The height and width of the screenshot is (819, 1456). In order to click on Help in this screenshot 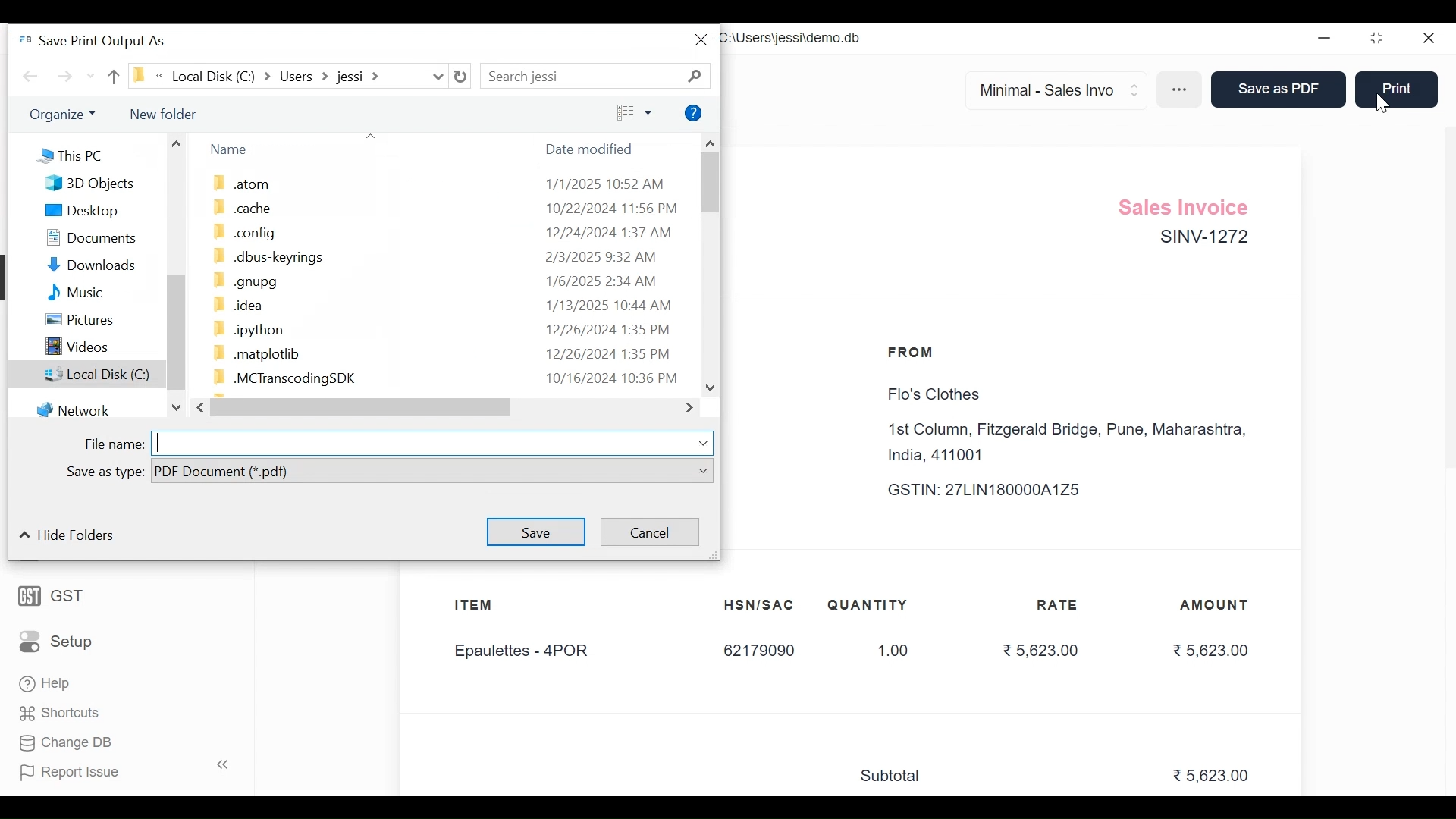, I will do `click(46, 686)`.